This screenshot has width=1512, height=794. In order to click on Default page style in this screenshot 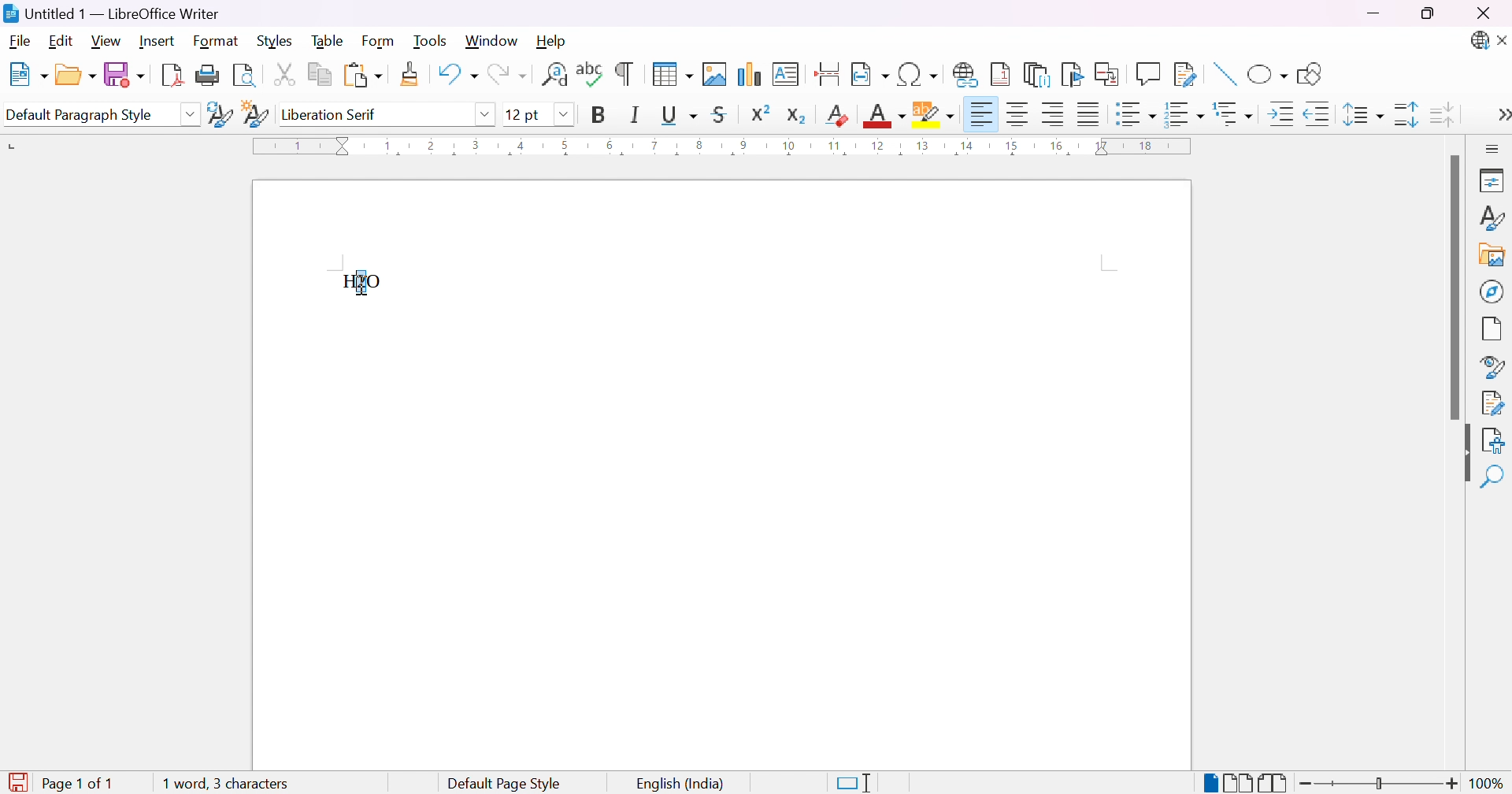, I will do `click(504, 784)`.